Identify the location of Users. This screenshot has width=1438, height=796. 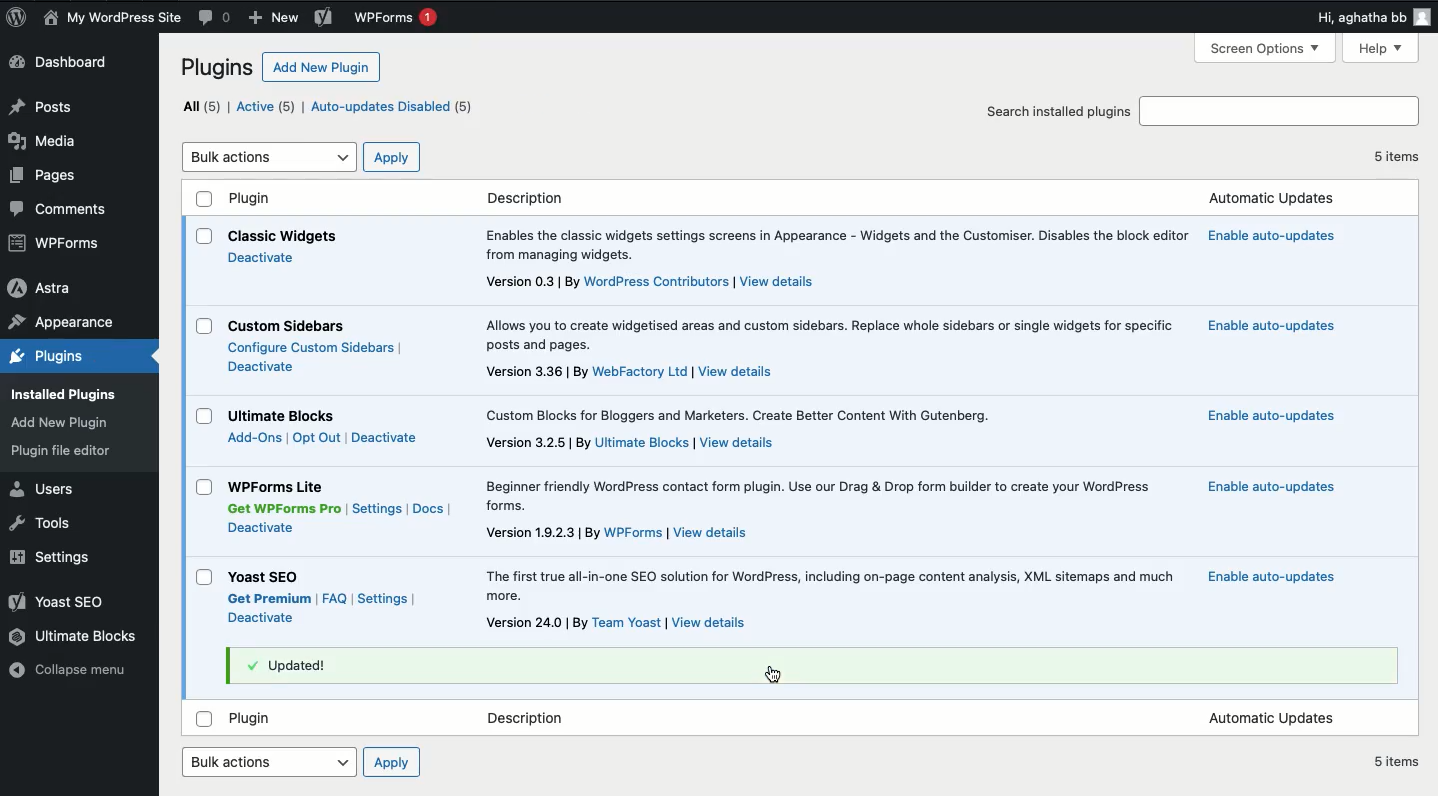
(47, 490).